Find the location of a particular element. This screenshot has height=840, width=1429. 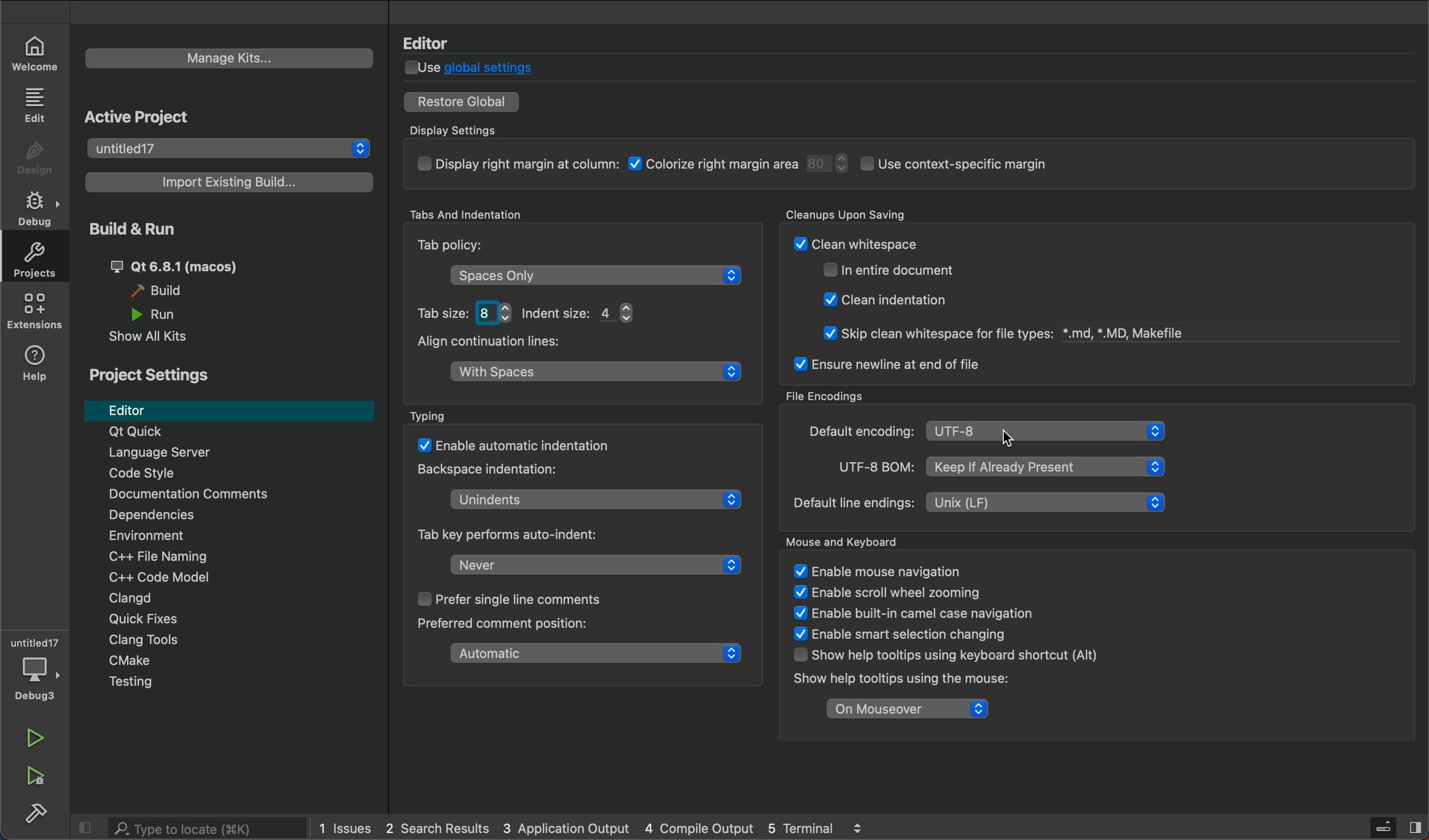

enable built-in camel case is located at coordinates (906, 612).